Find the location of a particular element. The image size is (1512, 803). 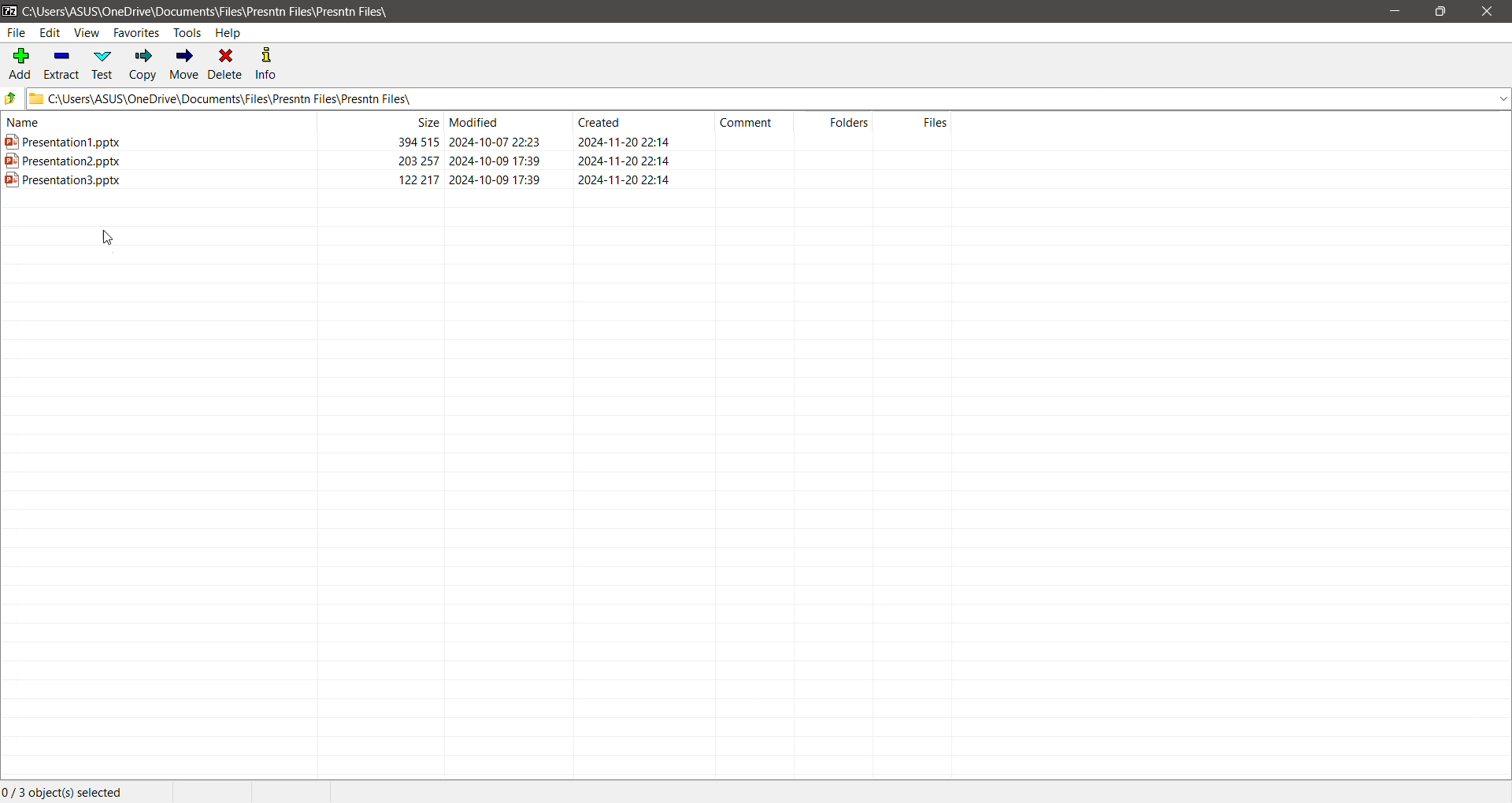

Test is located at coordinates (105, 65).